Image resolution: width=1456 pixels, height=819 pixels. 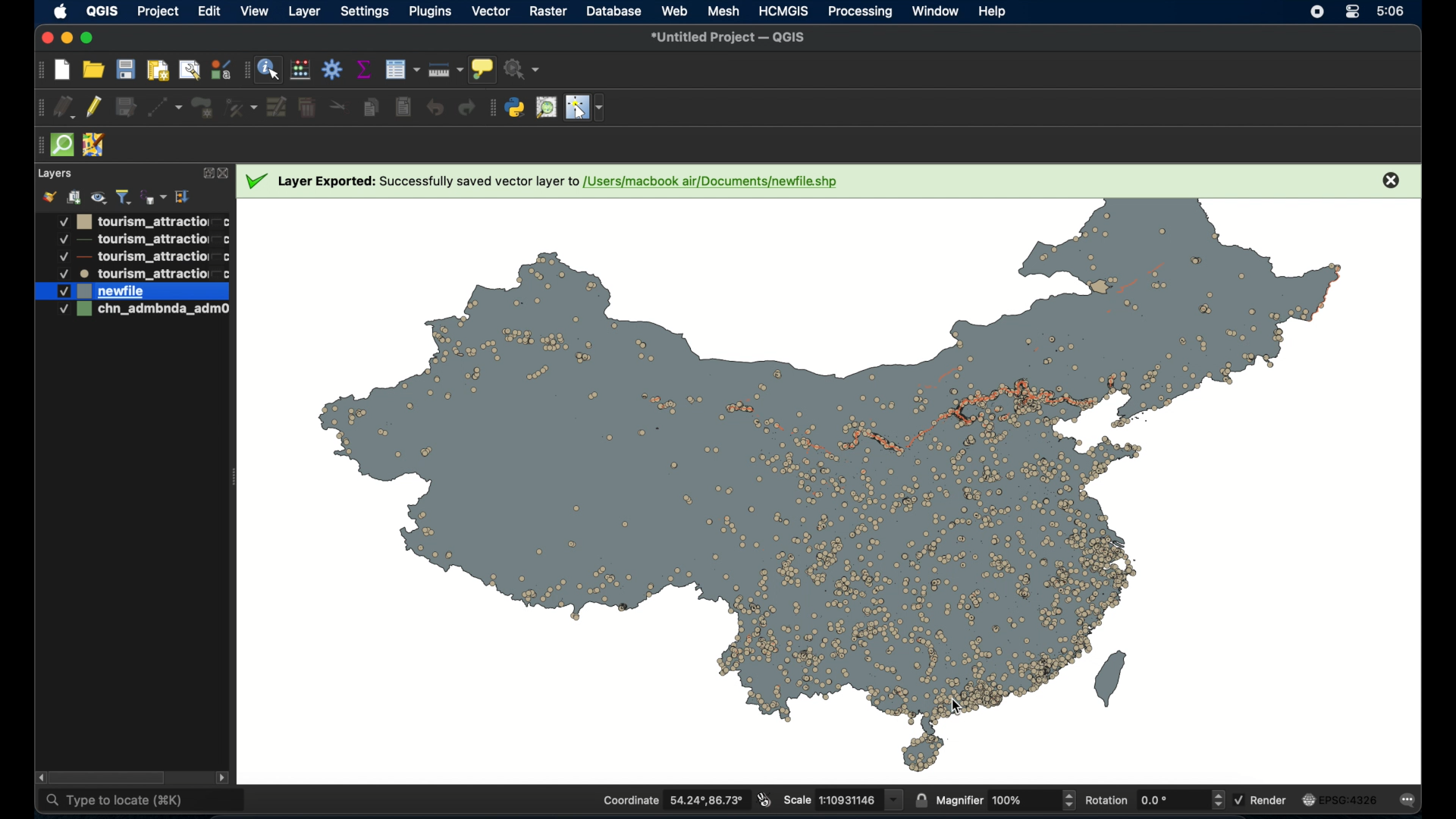 I want to click on show staistical summary, so click(x=364, y=69).